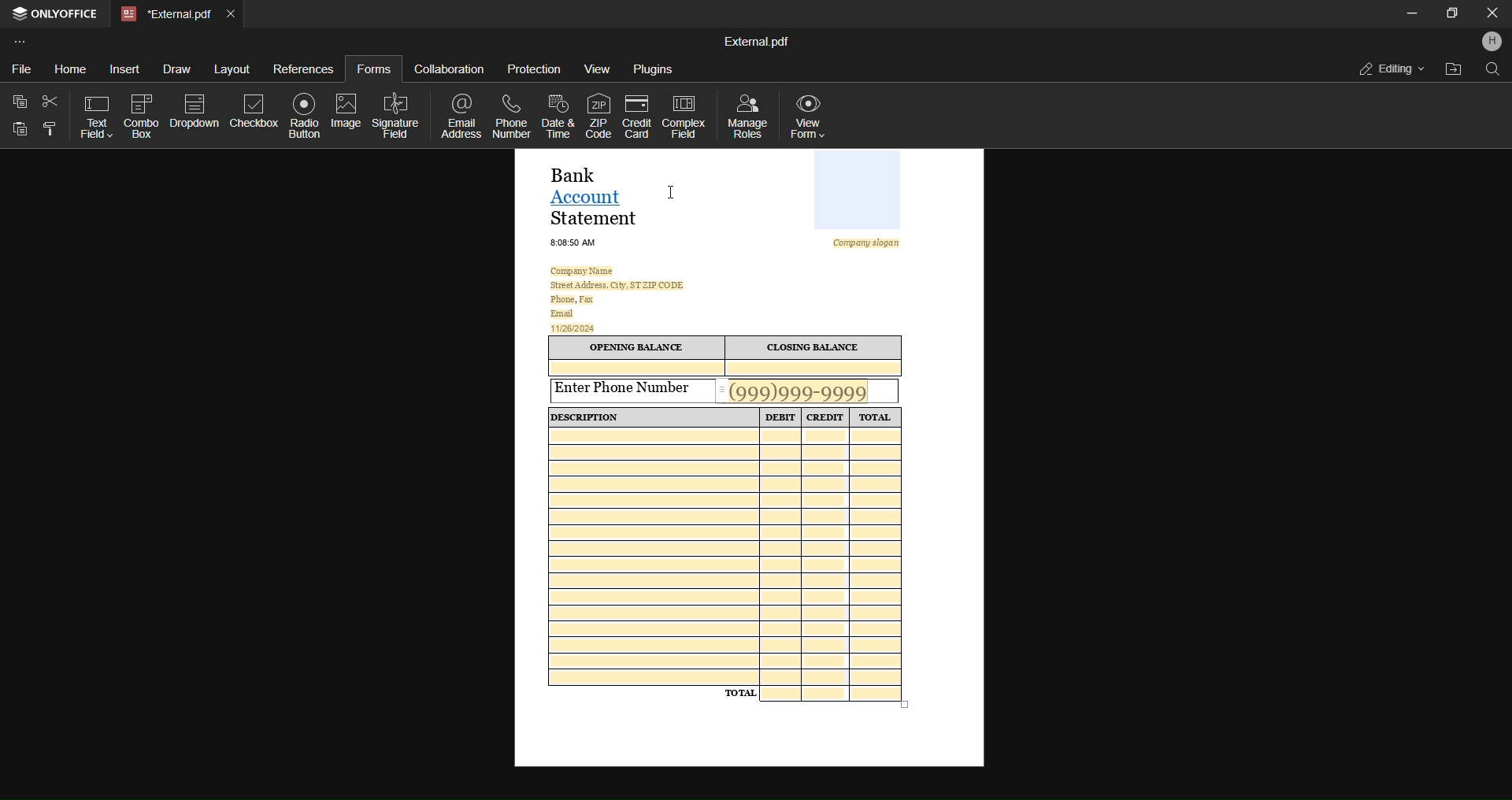 The width and height of the screenshot is (1512, 800). I want to click on insert, so click(124, 68).